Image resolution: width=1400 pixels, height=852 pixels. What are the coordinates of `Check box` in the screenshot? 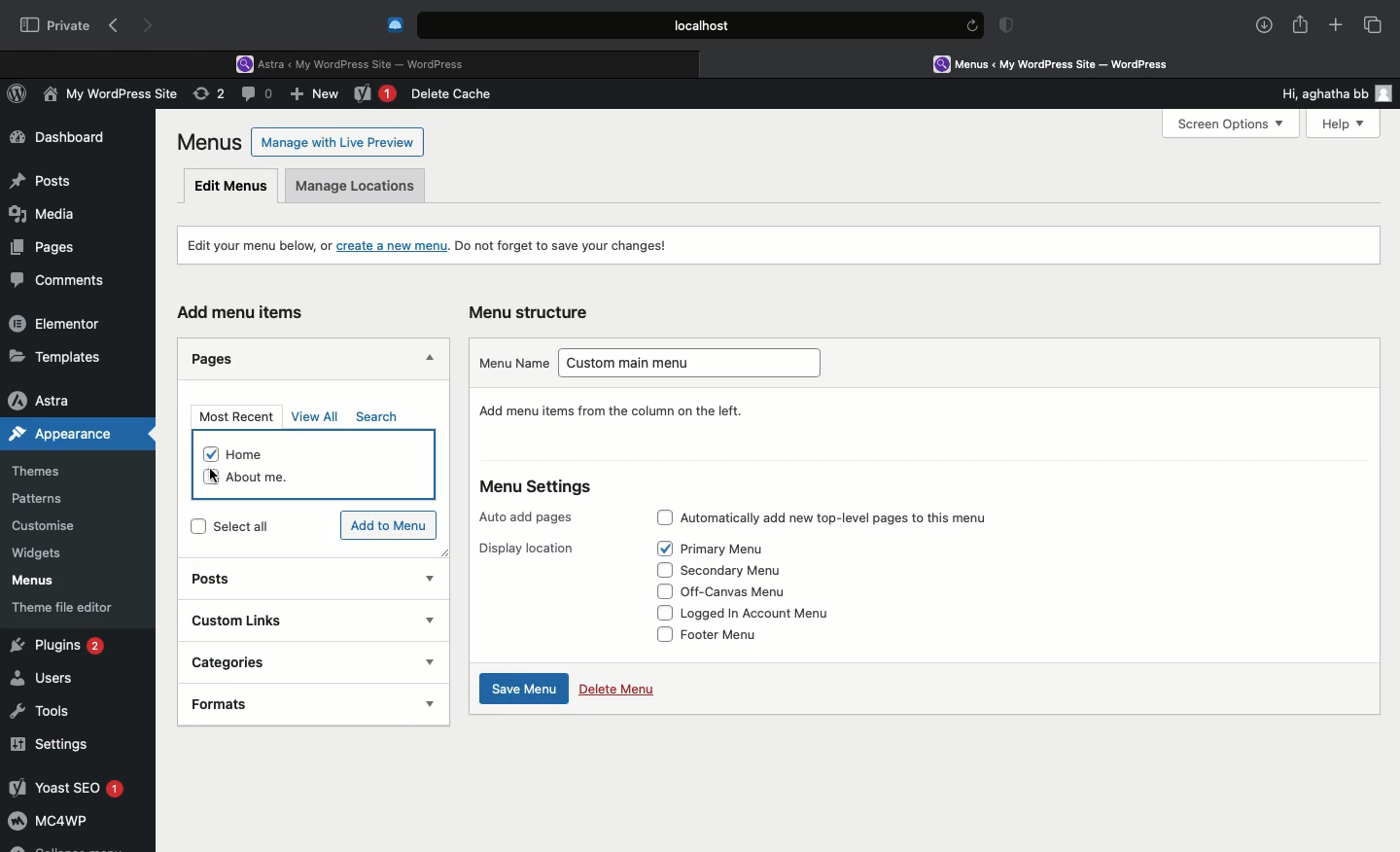 It's located at (656, 612).